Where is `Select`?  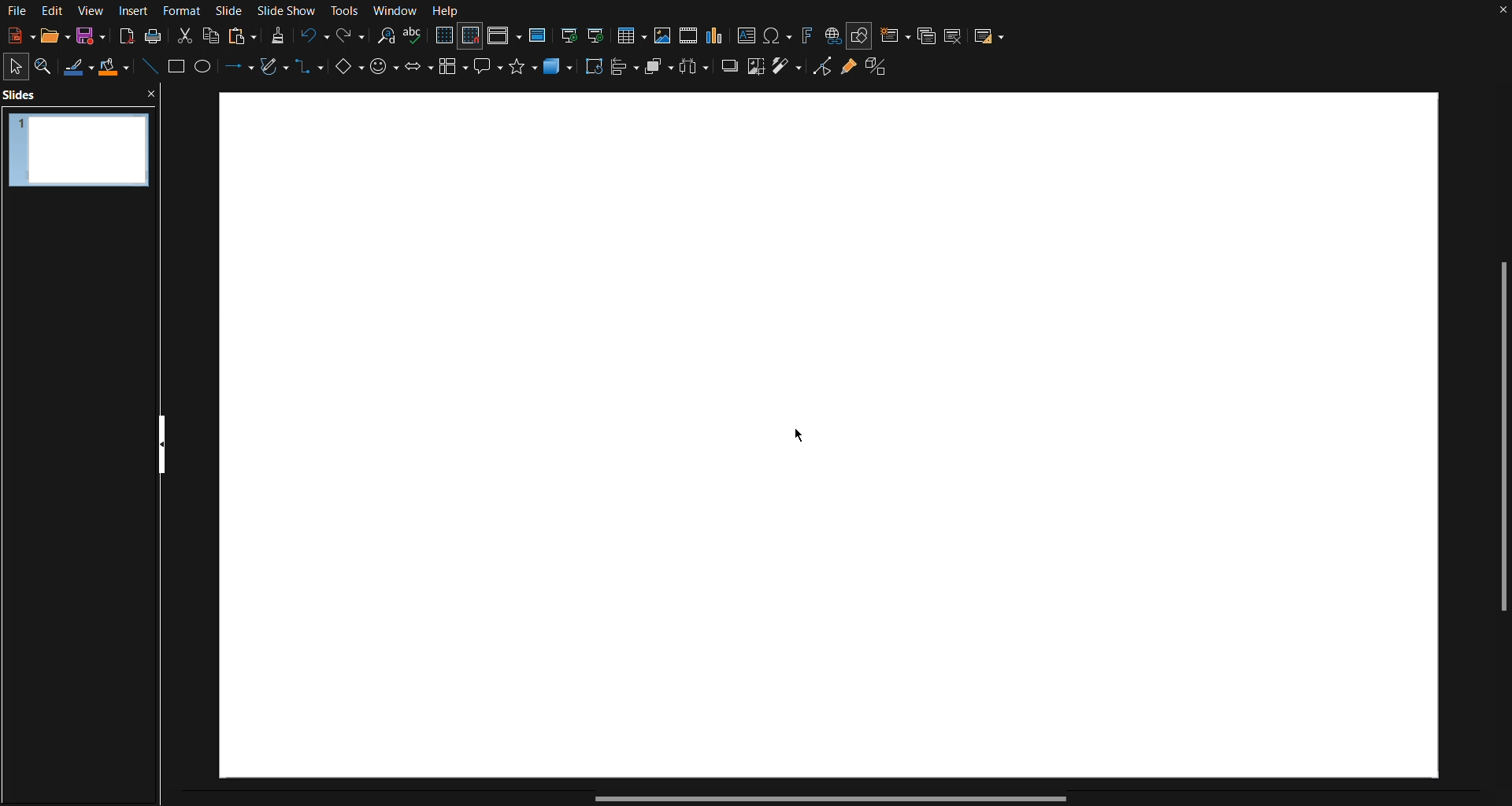 Select is located at coordinates (17, 65).